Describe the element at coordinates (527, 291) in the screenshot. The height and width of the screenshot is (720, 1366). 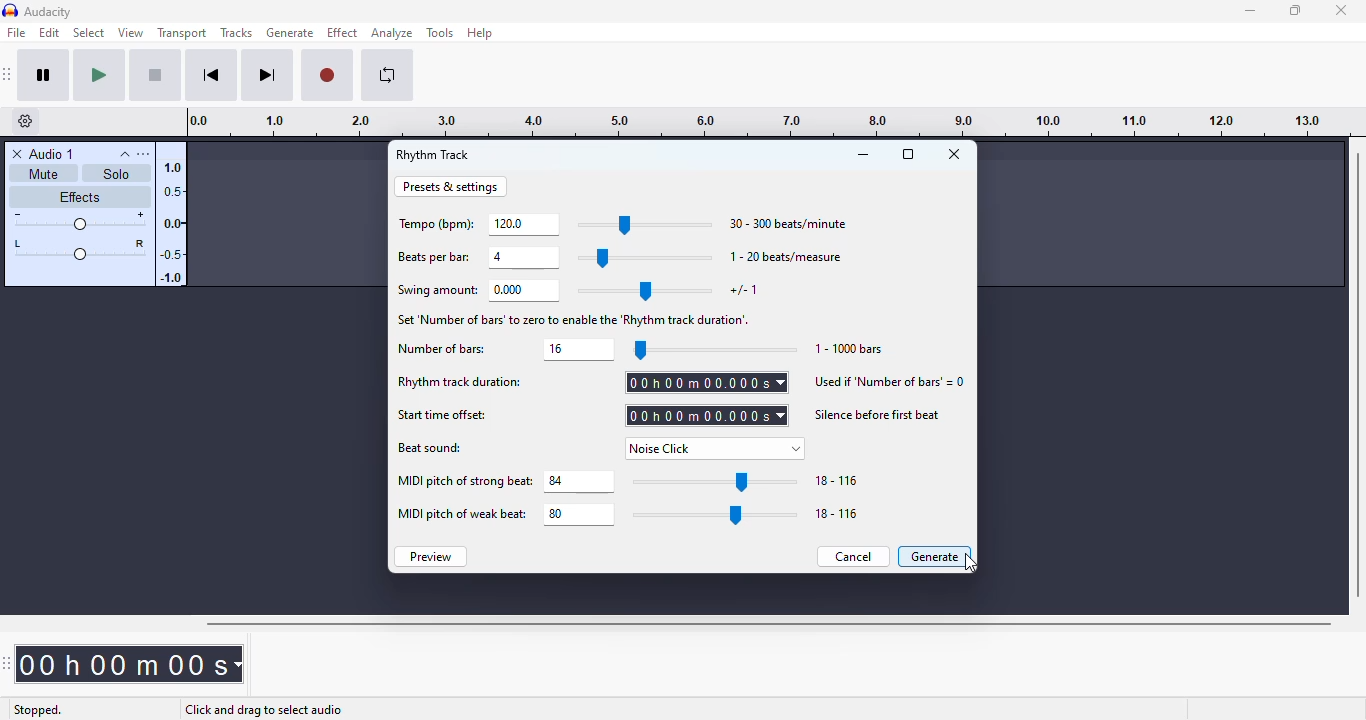
I see `set swing amount` at that location.